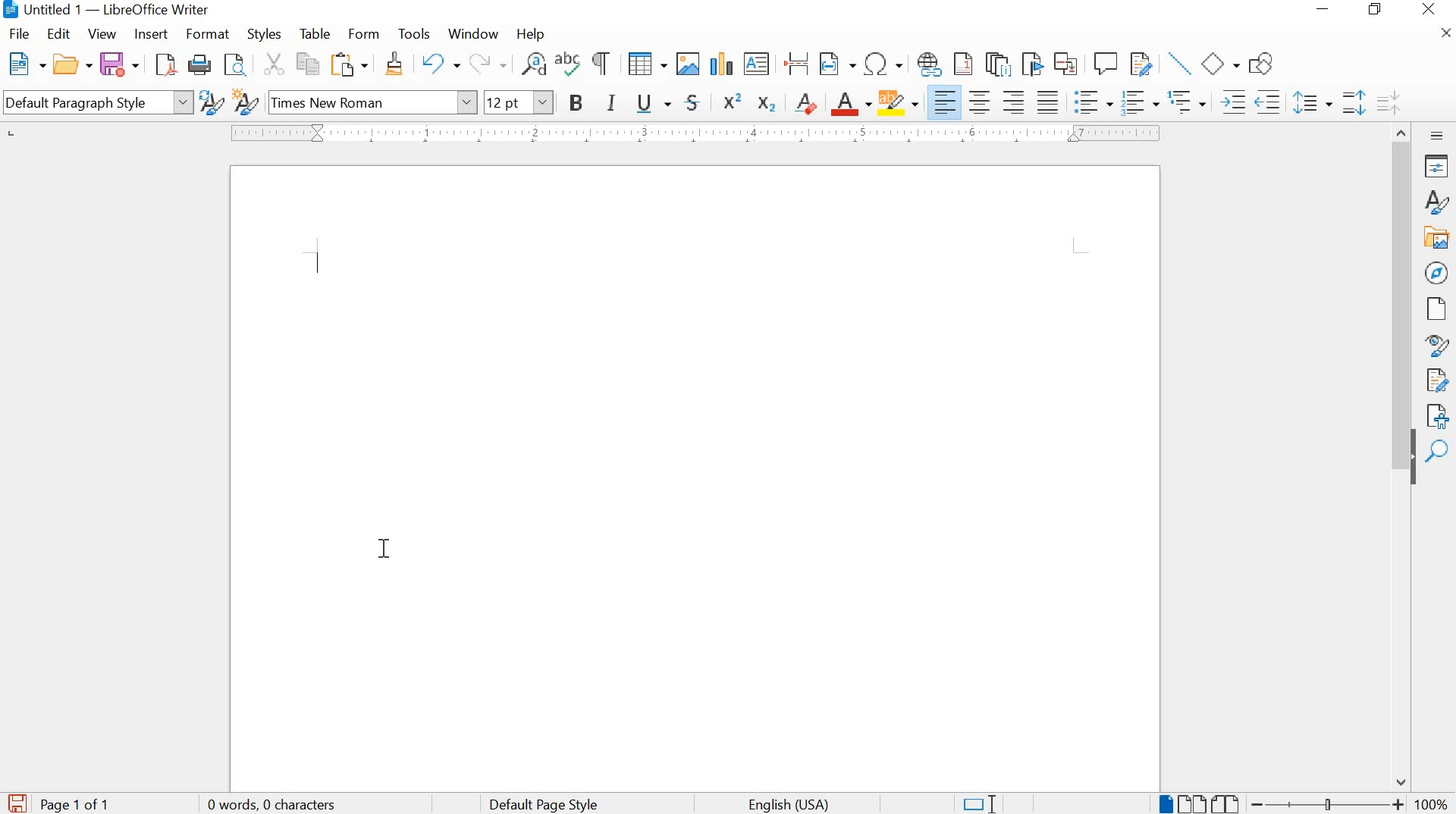  I want to click on BASIC SHAPES, so click(1221, 62).